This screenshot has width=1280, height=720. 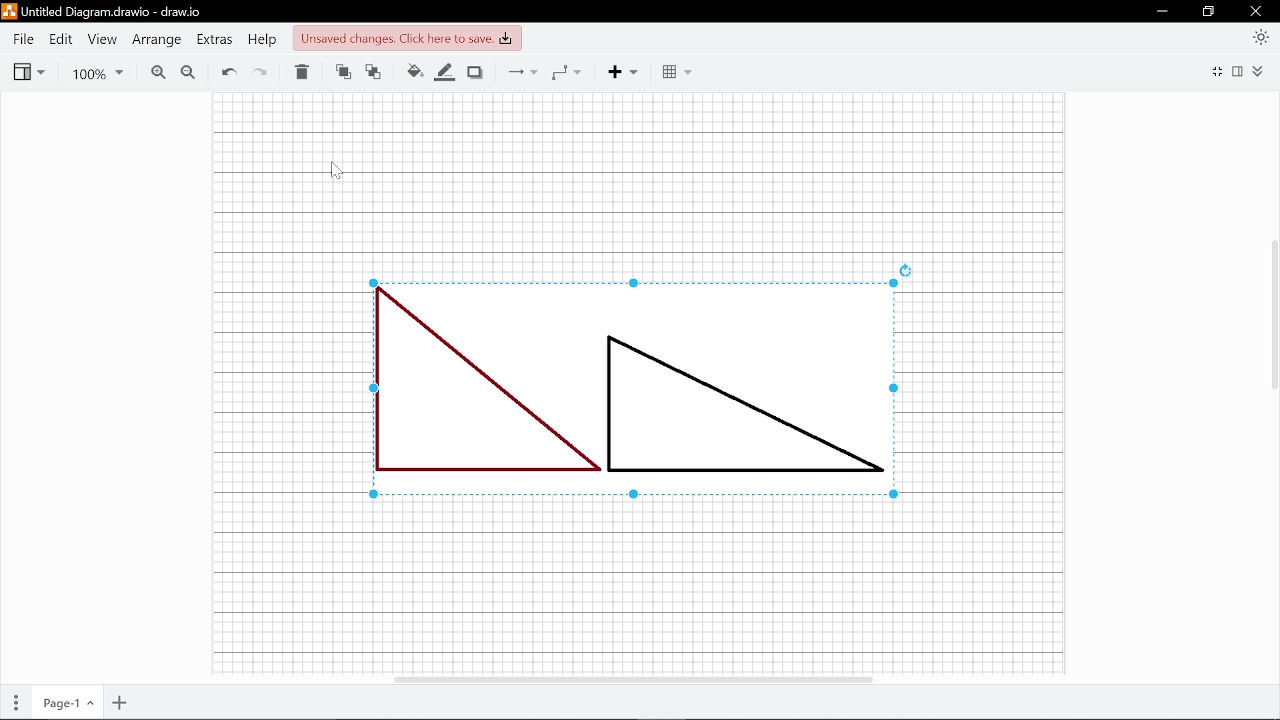 What do you see at coordinates (190, 73) in the screenshot?
I see `Zoom out` at bounding box center [190, 73].